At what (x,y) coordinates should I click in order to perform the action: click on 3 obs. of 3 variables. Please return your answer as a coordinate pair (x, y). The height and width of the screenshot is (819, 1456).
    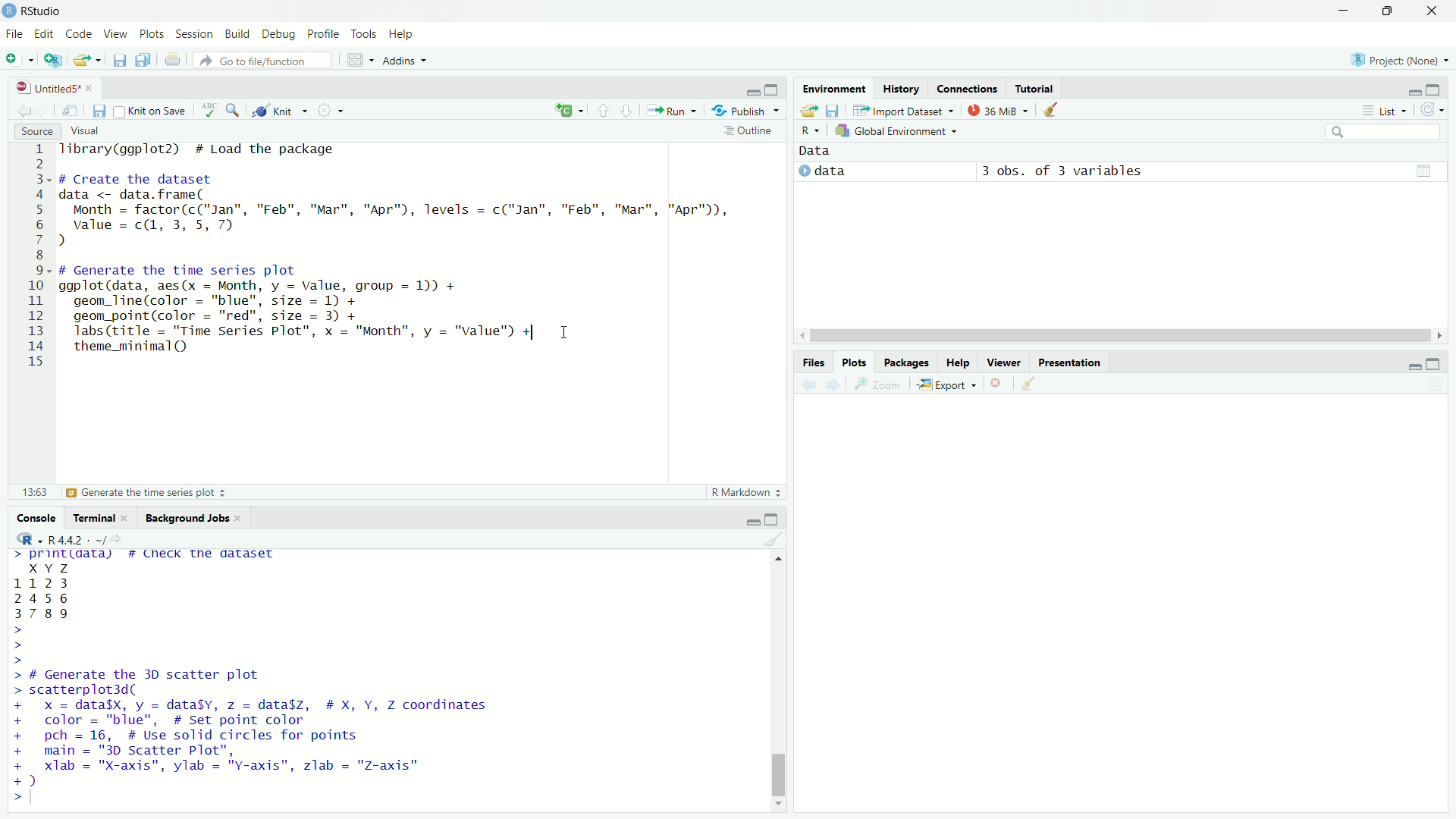
    Looking at the image, I should click on (1072, 171).